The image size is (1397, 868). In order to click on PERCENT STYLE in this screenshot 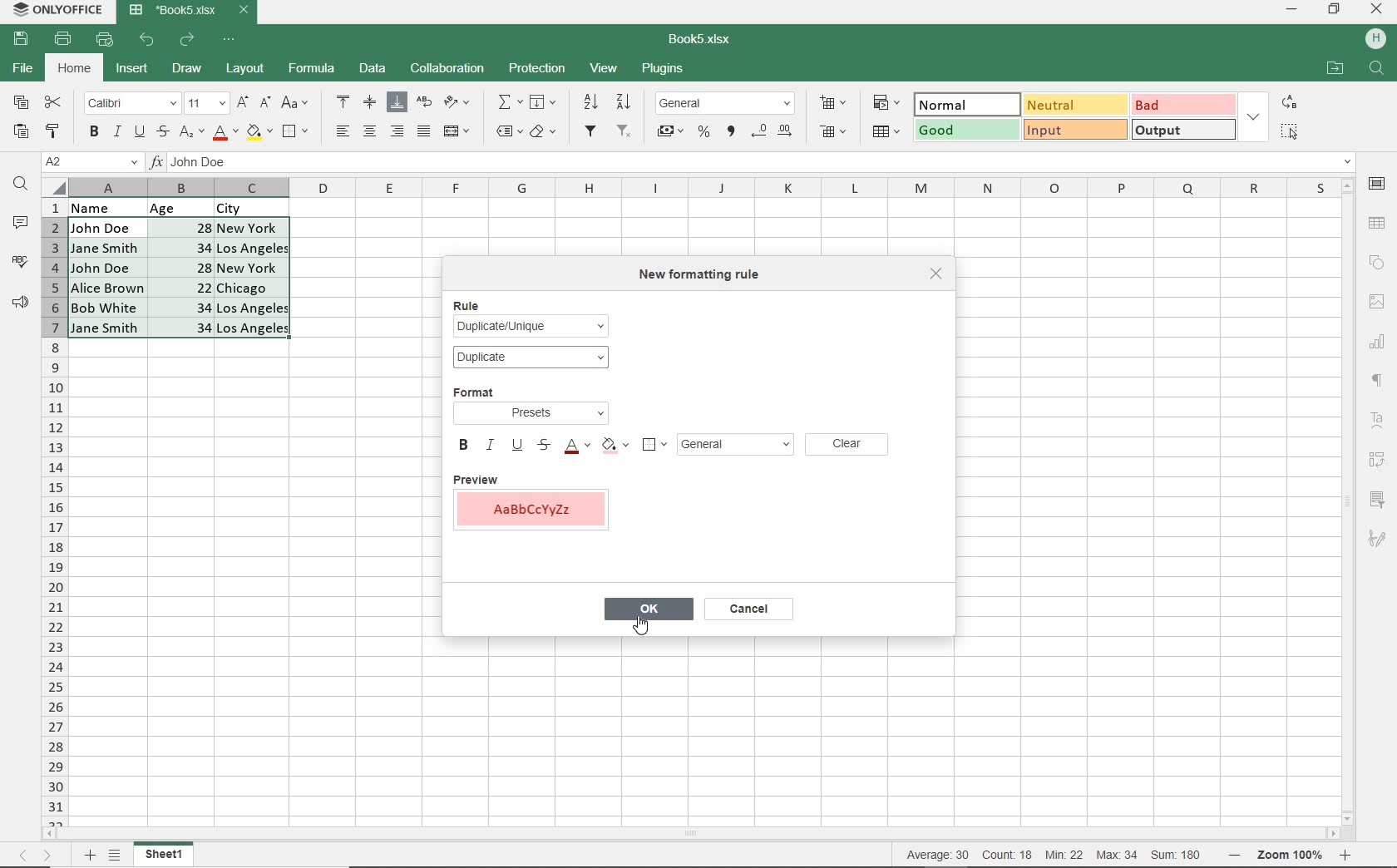, I will do `click(703, 132)`.